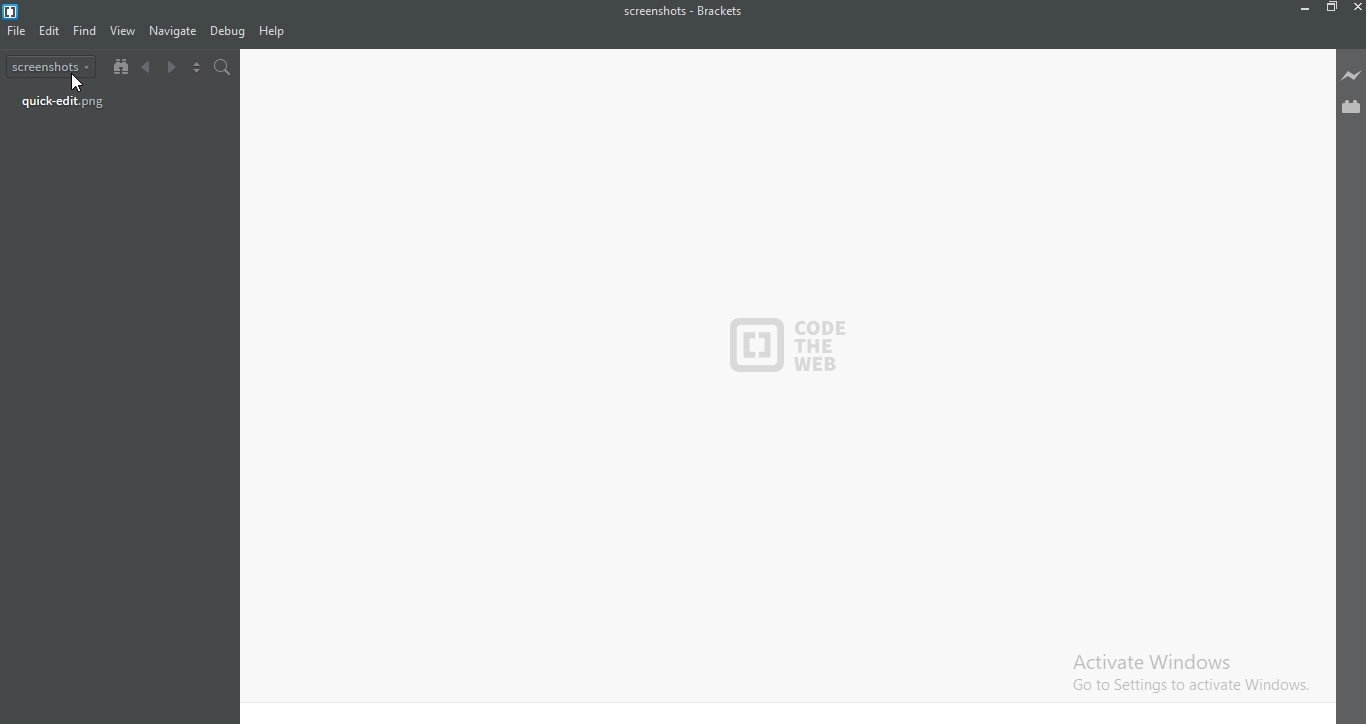  Describe the element at coordinates (29, 11) in the screenshot. I see `Logo` at that location.